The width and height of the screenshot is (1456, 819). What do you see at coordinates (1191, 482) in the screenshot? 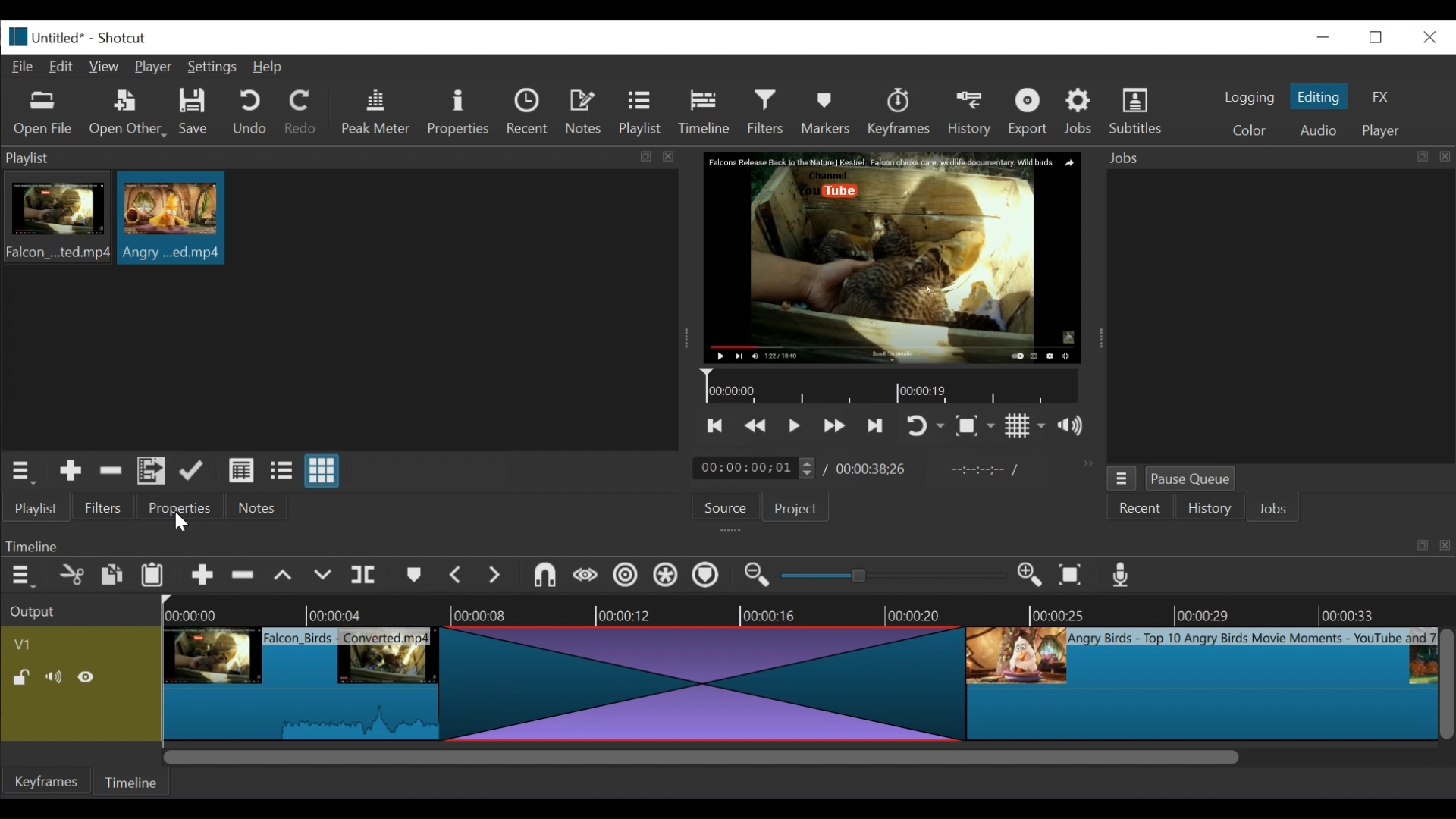
I see `Pause Queue` at bounding box center [1191, 482].